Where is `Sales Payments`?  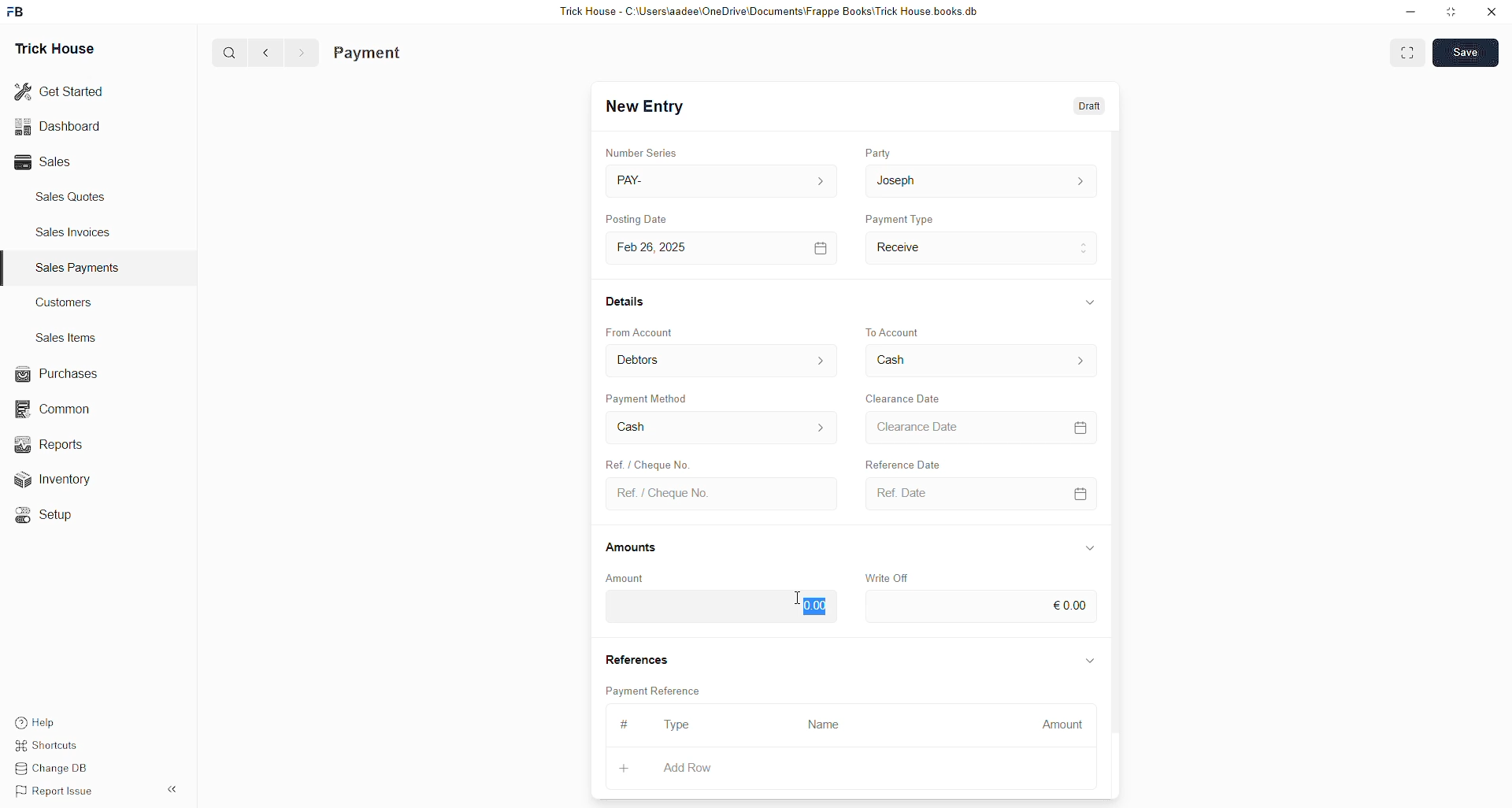 Sales Payments is located at coordinates (80, 268).